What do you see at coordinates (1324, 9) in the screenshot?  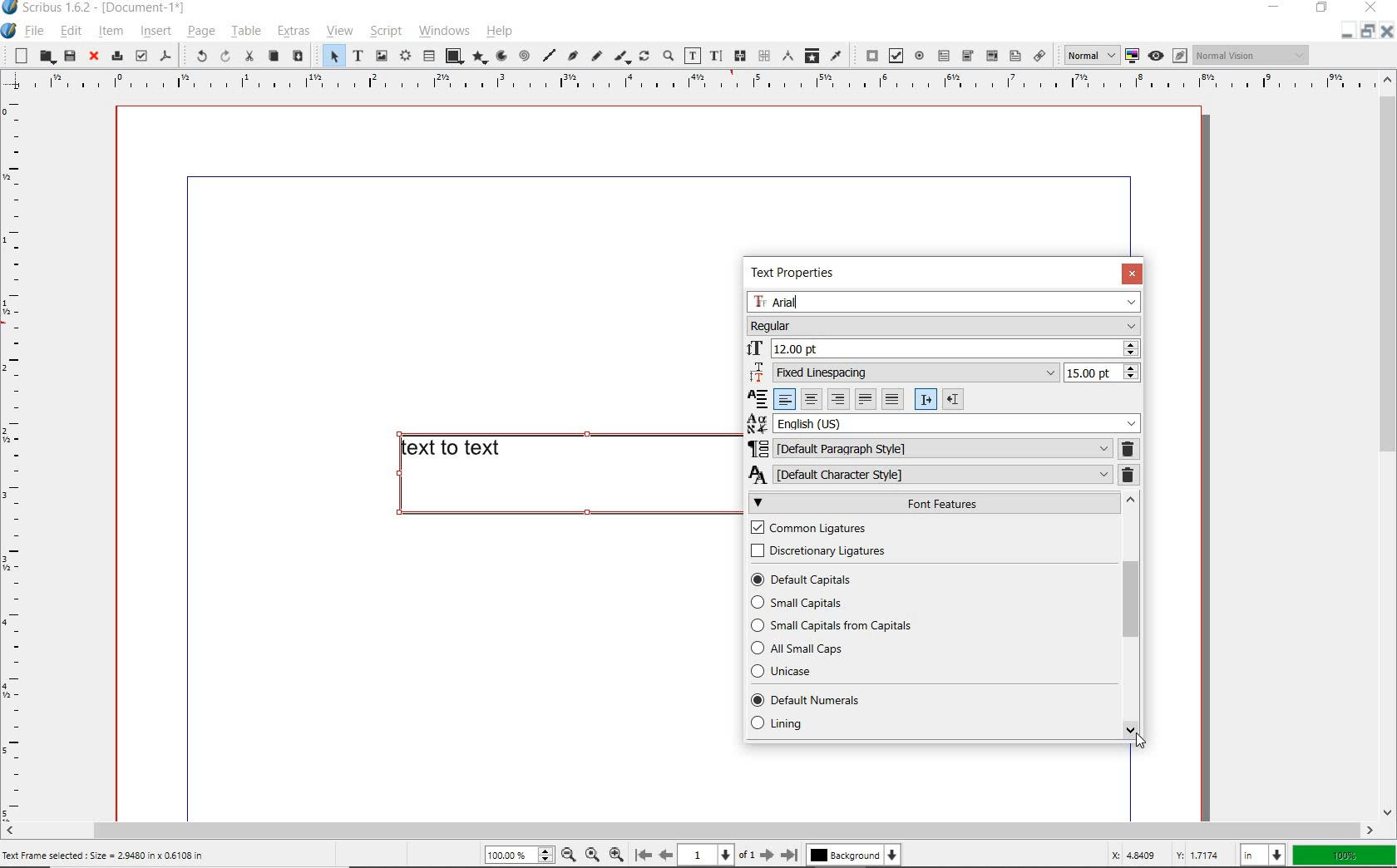 I see `restore` at bounding box center [1324, 9].